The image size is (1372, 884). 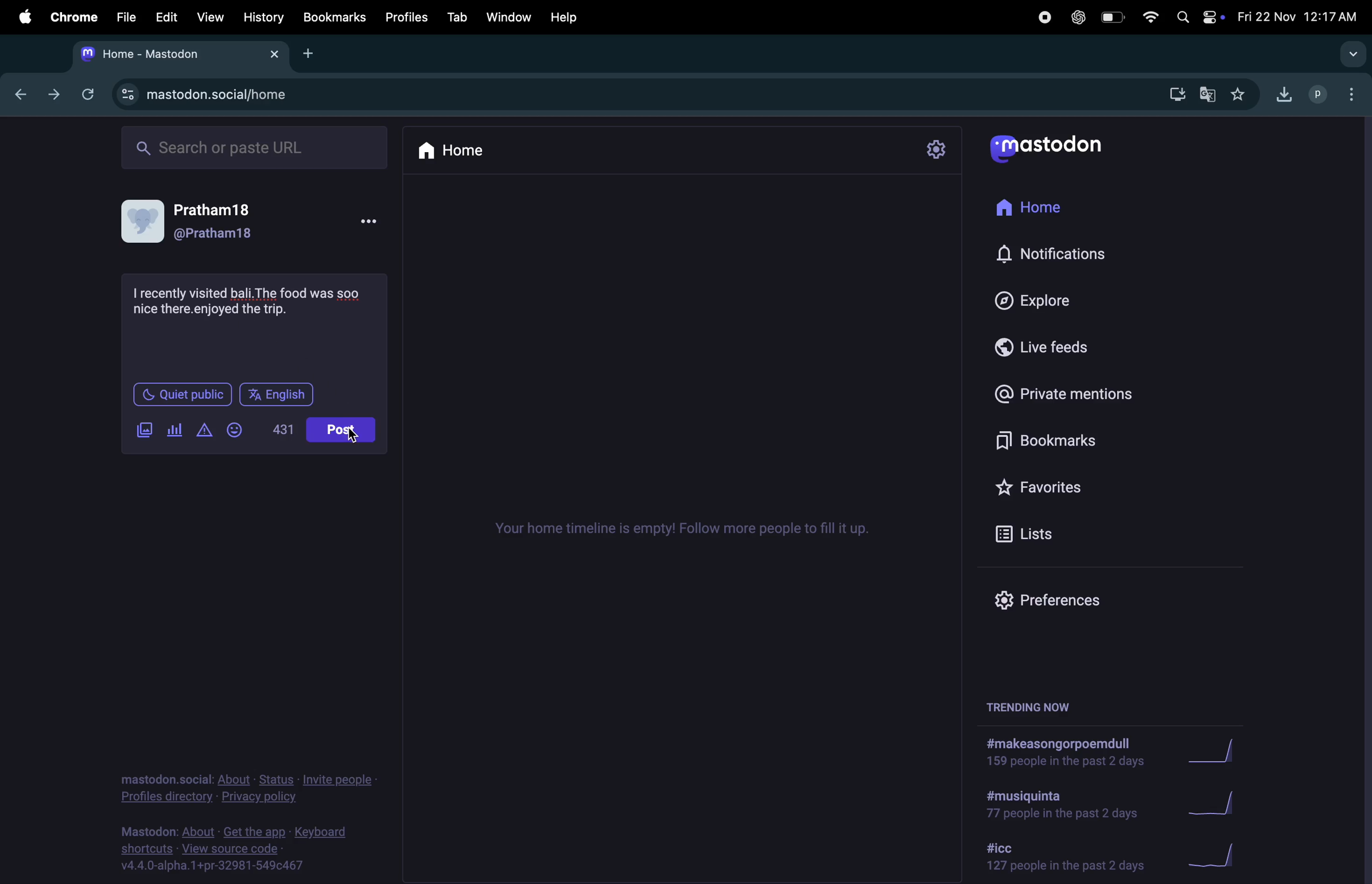 I want to click on trending now, so click(x=1031, y=709).